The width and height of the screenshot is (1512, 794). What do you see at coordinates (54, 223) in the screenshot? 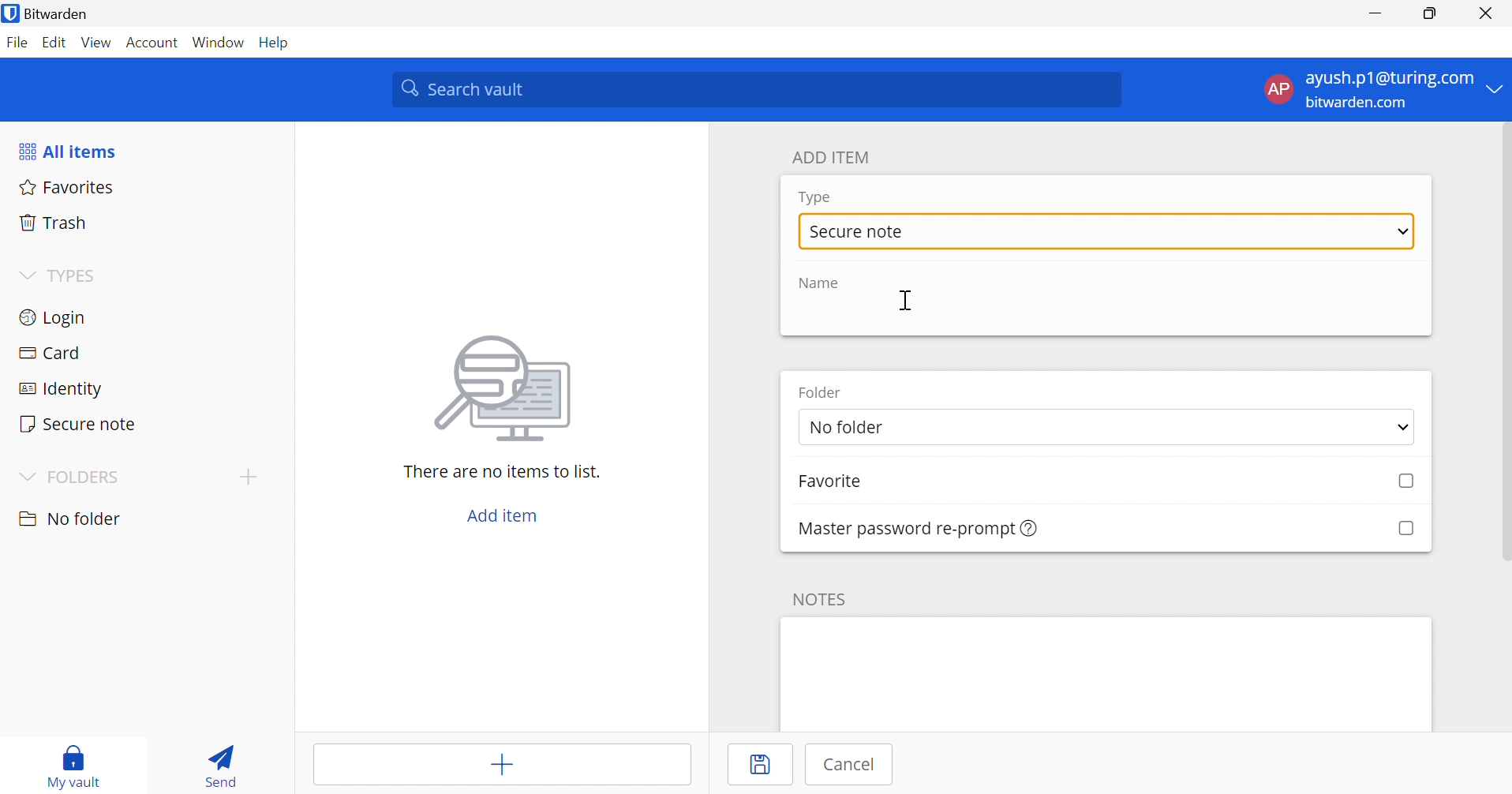
I see `Trash` at bounding box center [54, 223].